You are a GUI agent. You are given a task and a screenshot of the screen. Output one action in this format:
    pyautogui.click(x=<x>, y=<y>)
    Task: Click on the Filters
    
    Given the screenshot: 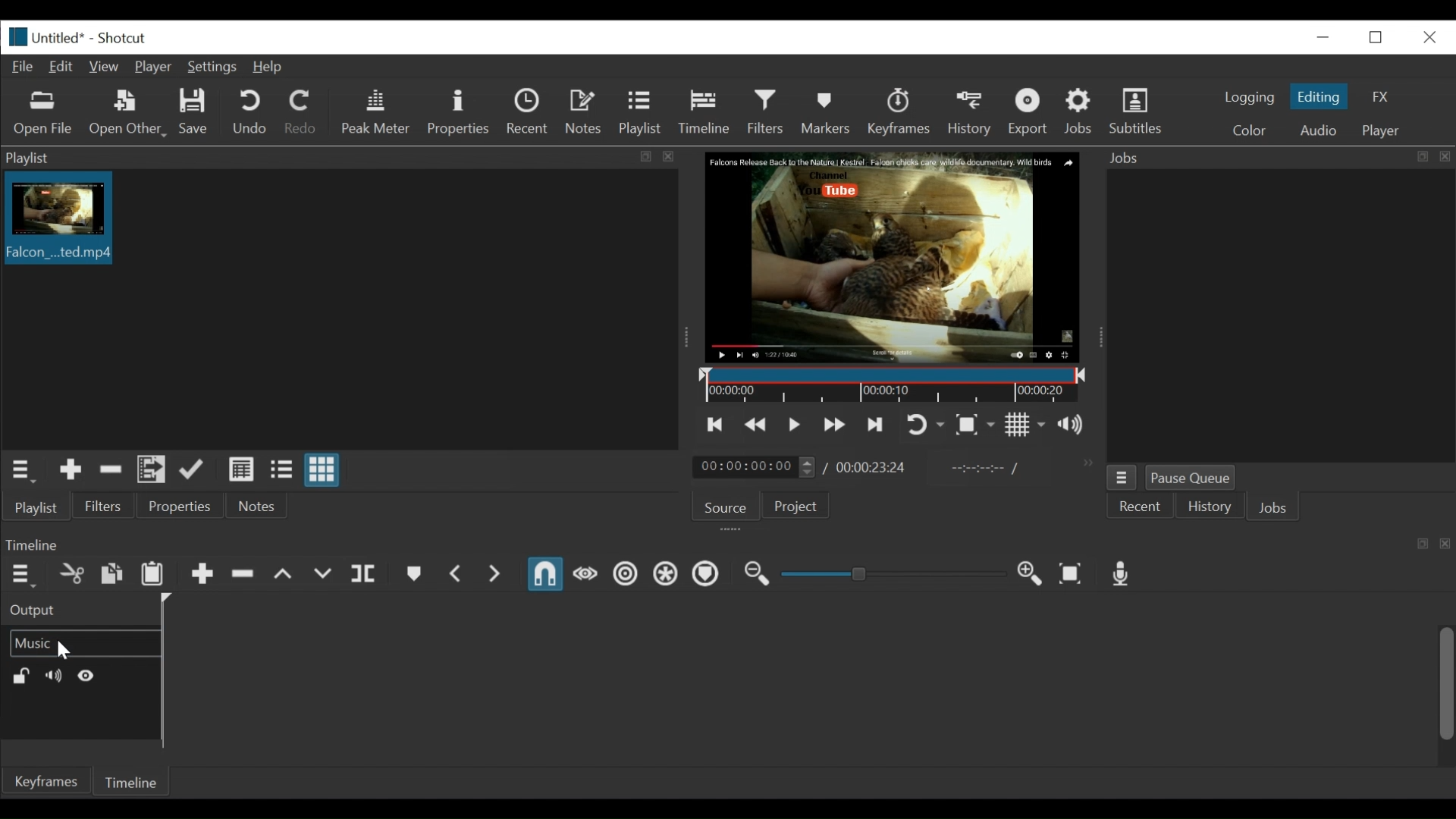 What is the action you would take?
    pyautogui.click(x=767, y=114)
    